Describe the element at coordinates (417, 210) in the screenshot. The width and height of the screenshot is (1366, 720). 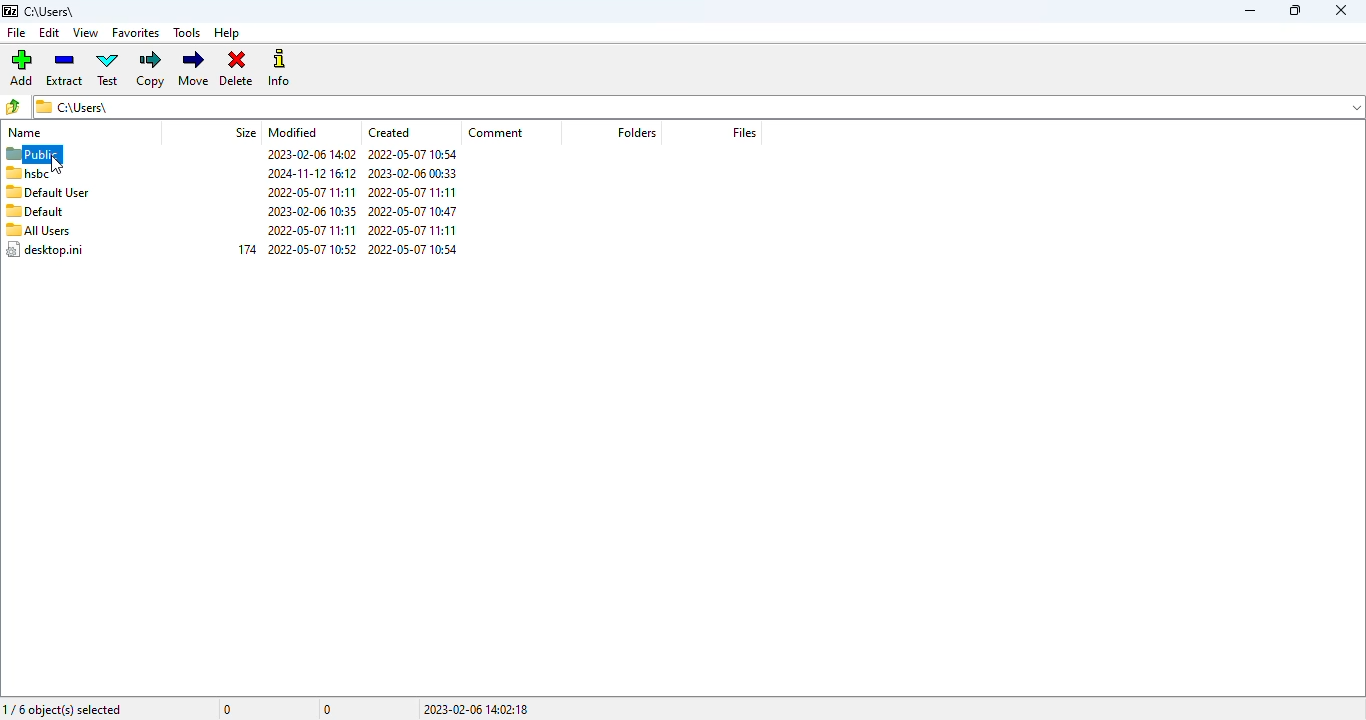
I see `2022-05-07 10:47` at that location.